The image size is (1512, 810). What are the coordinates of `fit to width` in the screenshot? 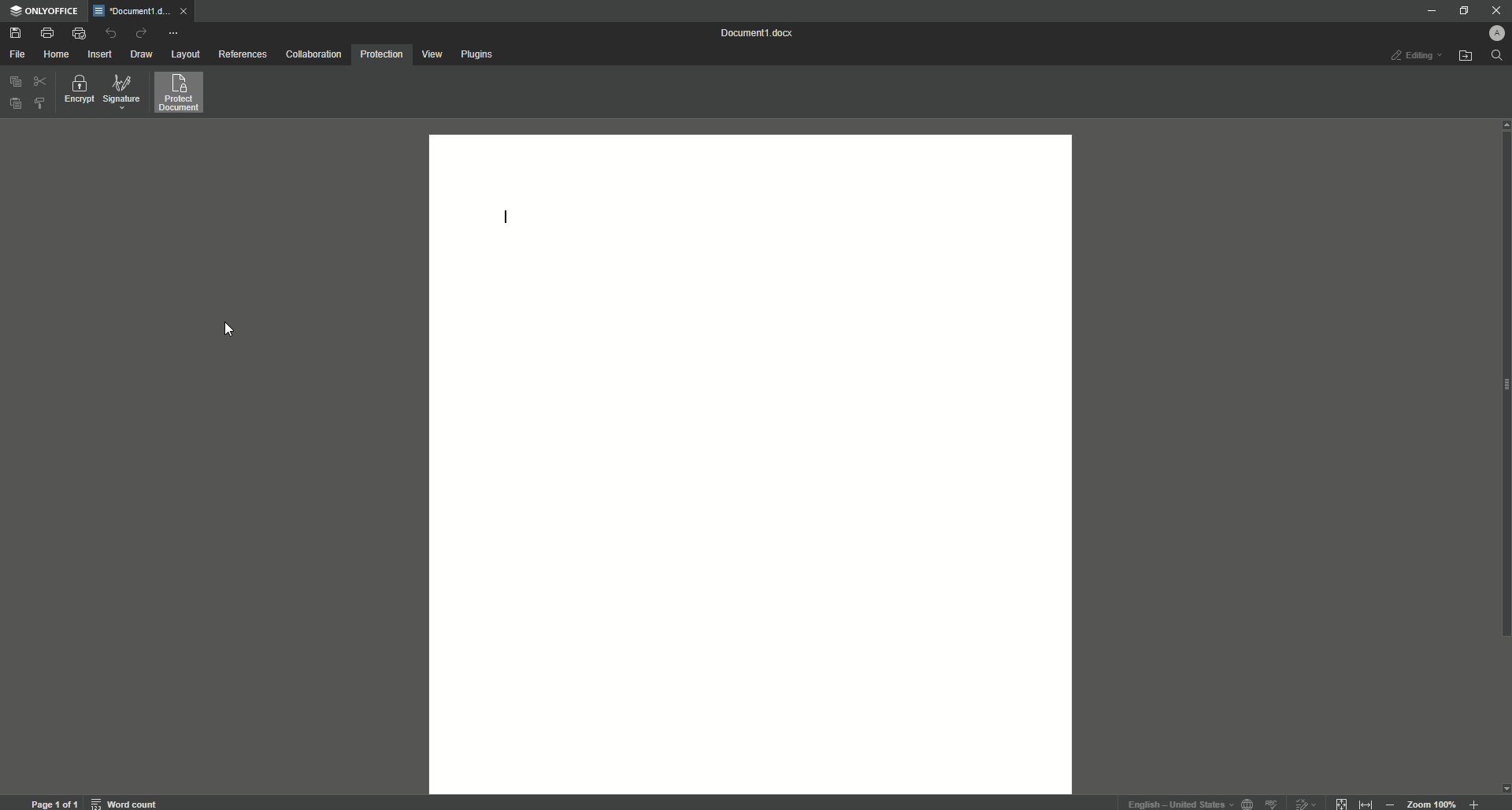 It's located at (1366, 802).